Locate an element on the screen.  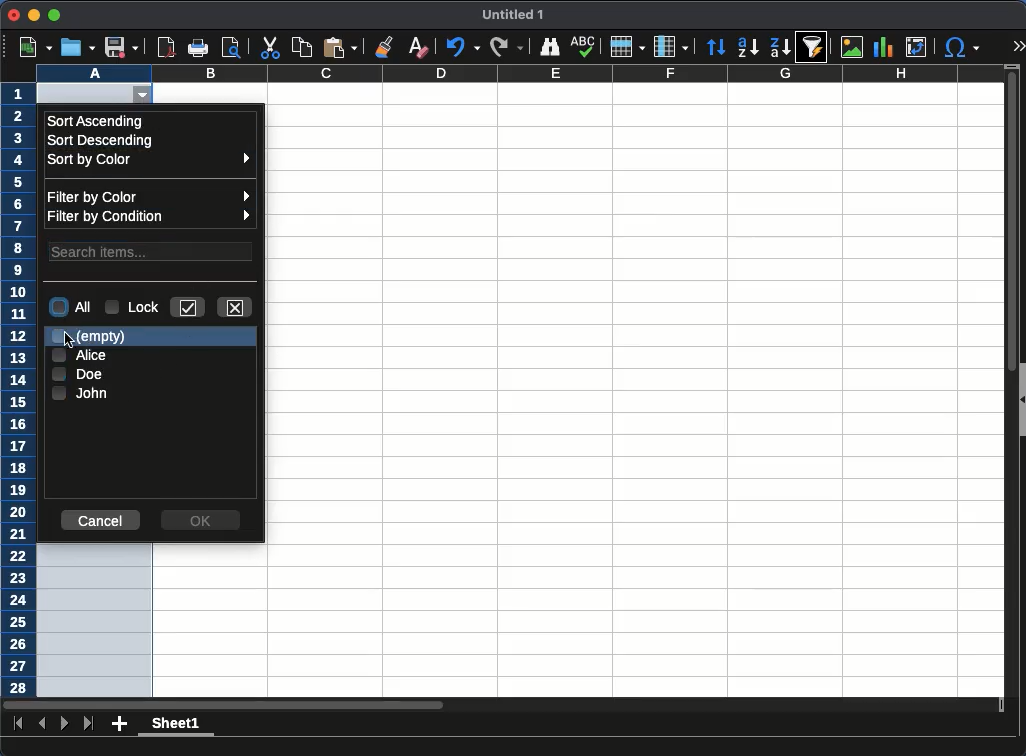
clone formatting is located at coordinates (387, 46).